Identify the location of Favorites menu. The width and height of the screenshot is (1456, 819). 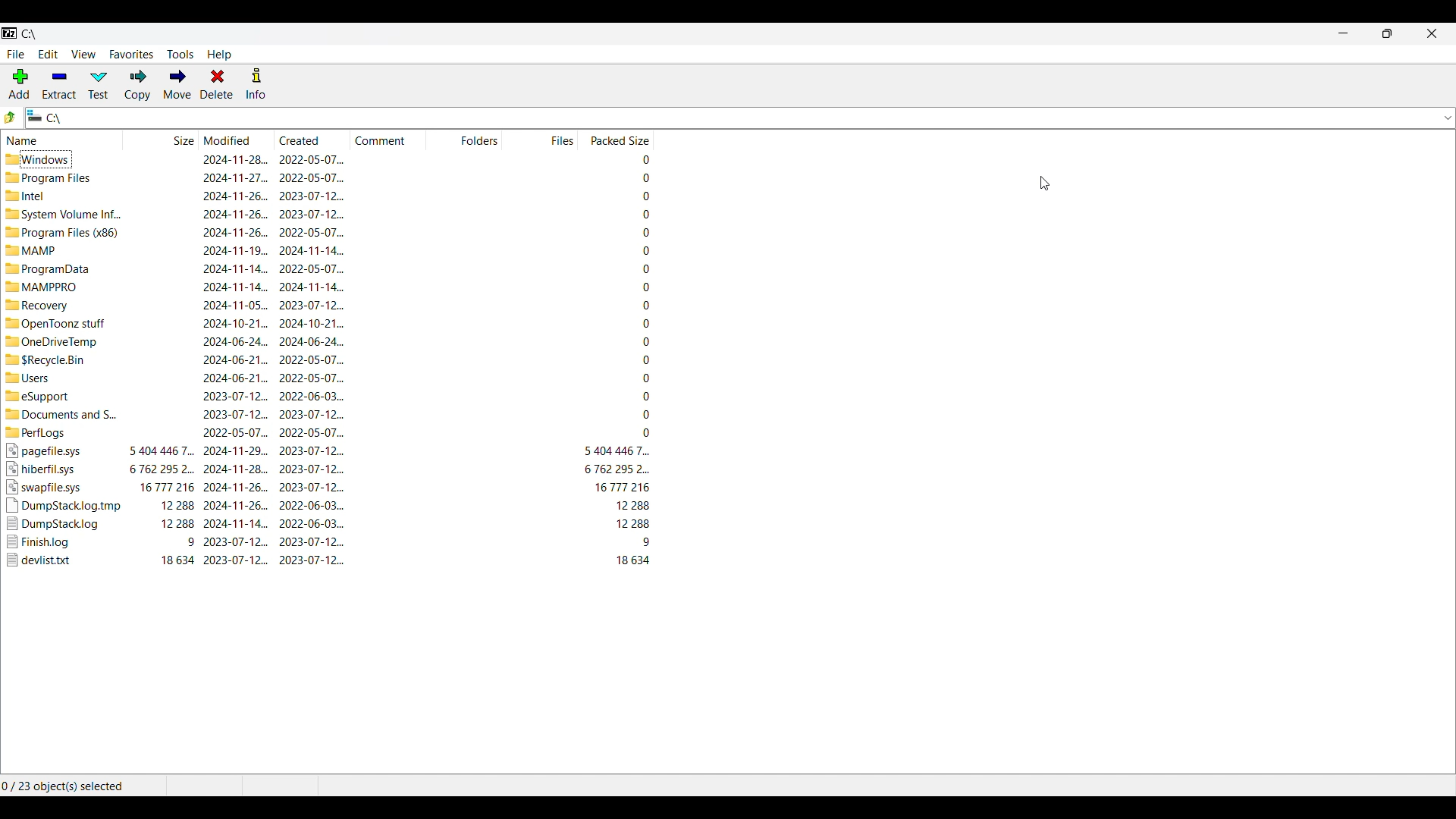
(131, 54).